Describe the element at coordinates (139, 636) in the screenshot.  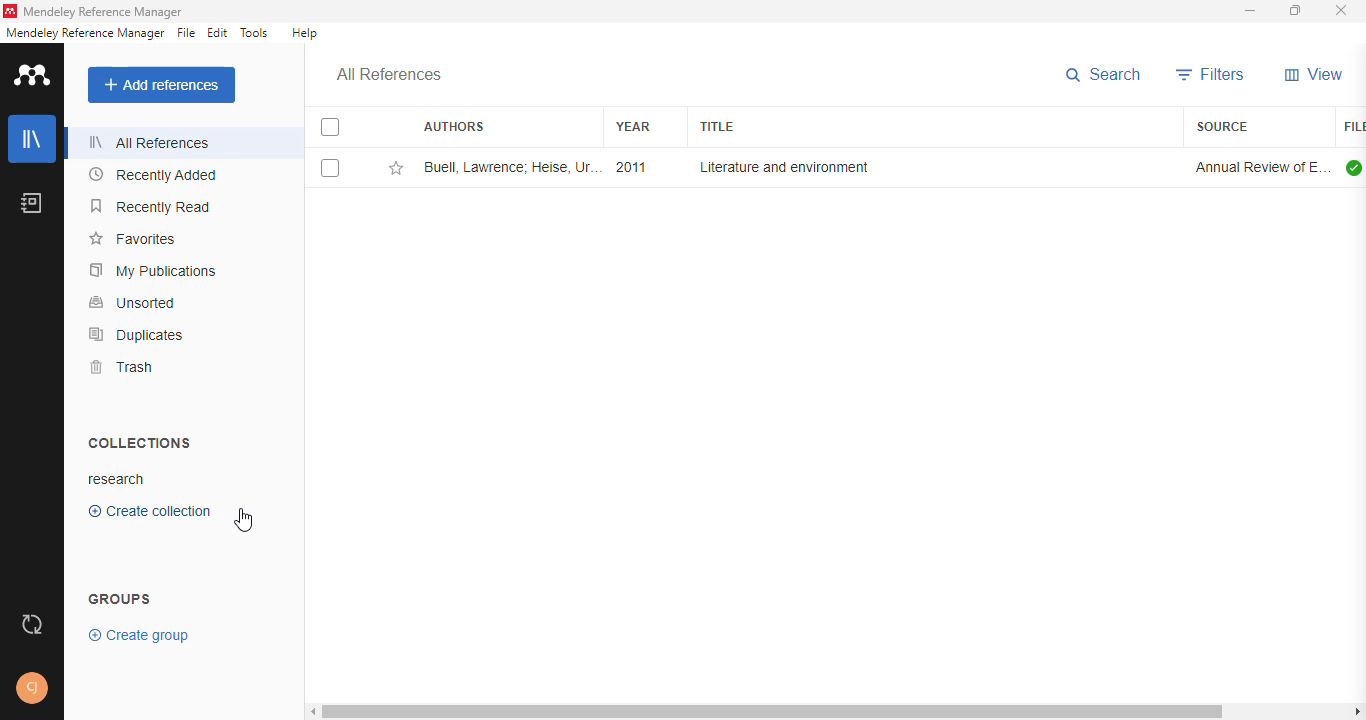
I see `create group` at that location.